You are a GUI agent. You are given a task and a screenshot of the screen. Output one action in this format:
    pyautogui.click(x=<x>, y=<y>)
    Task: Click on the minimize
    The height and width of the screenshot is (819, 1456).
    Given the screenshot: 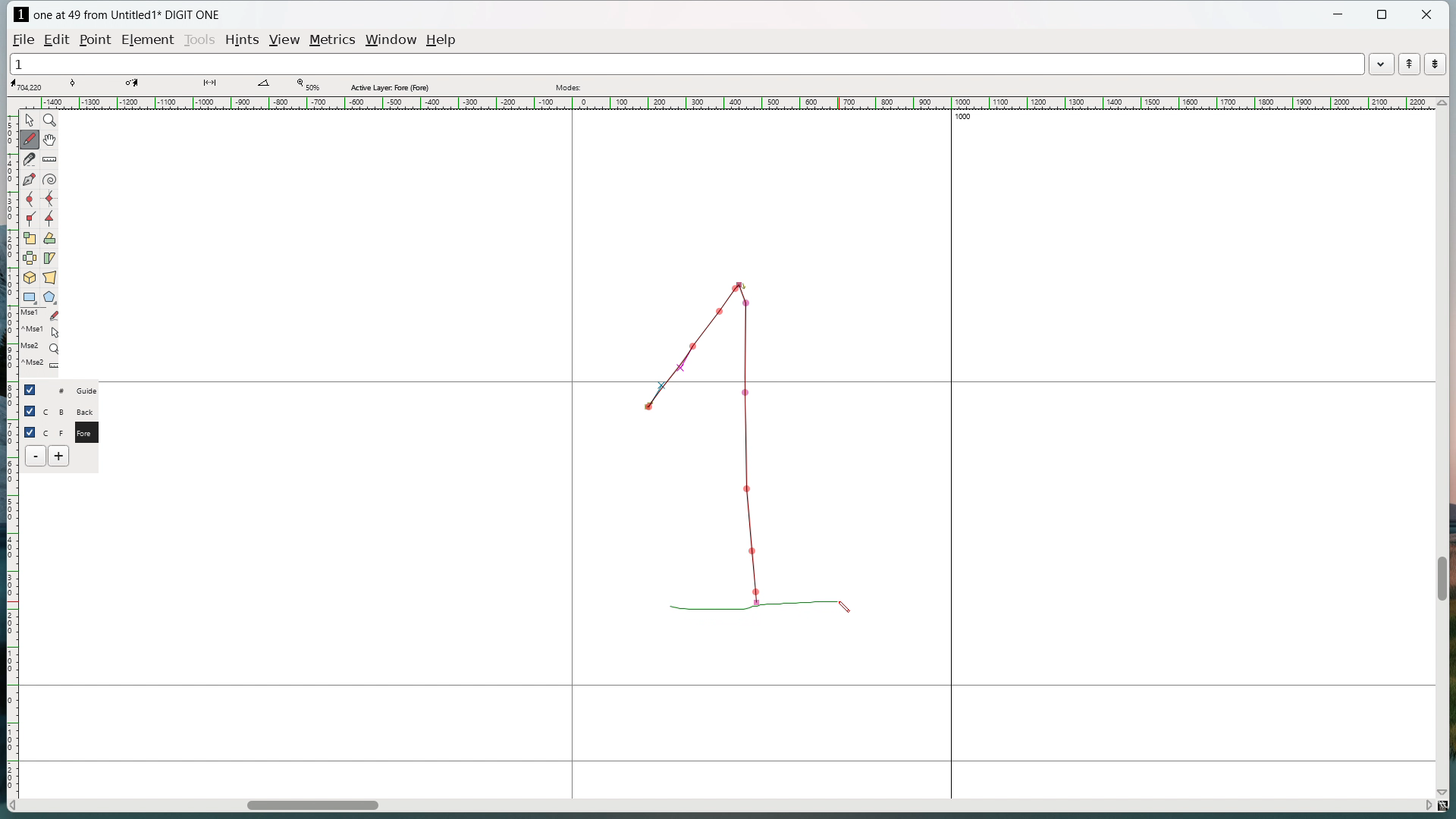 What is the action you would take?
    pyautogui.click(x=1340, y=16)
    